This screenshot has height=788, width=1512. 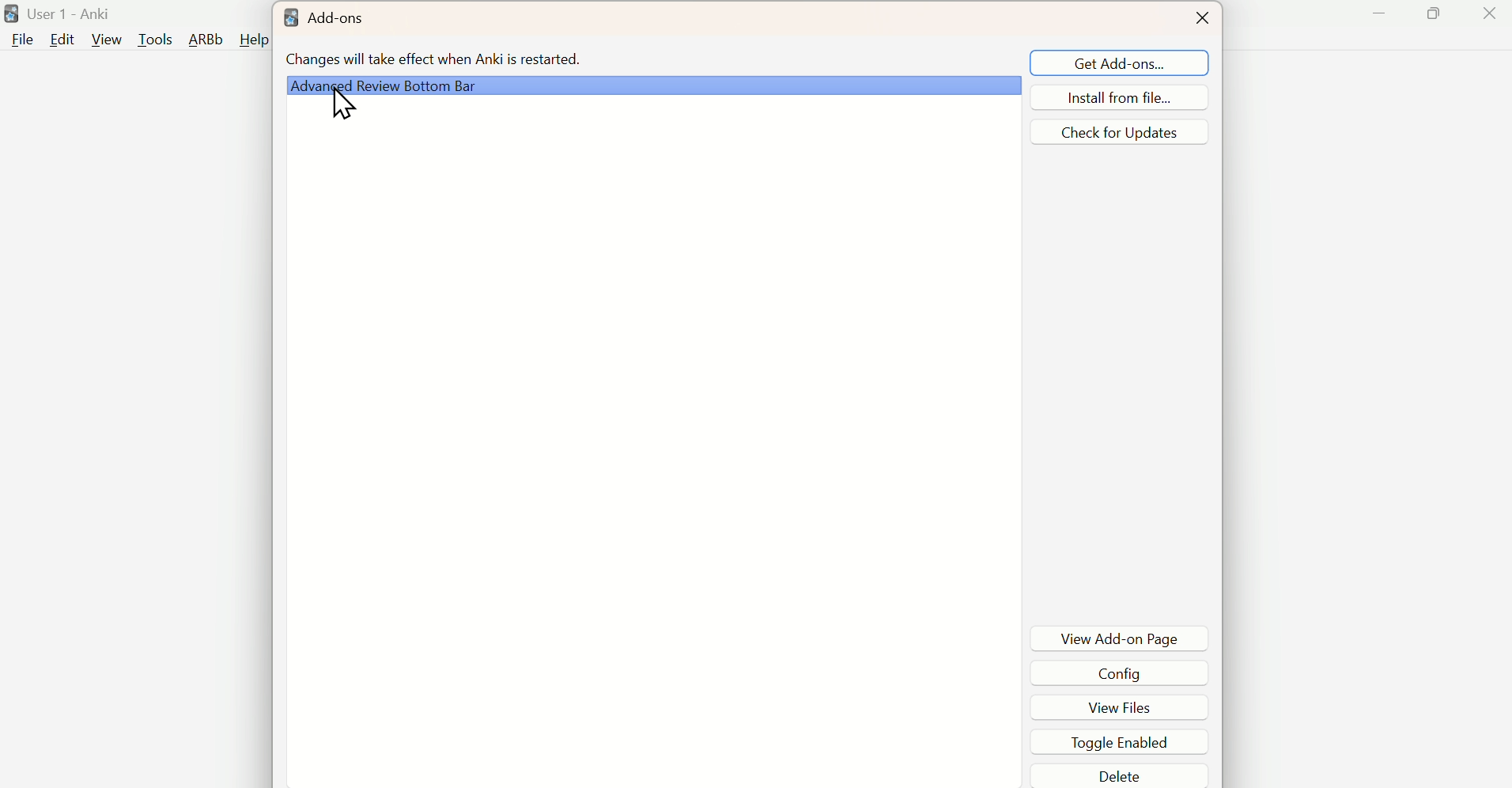 What do you see at coordinates (61, 40) in the screenshot?
I see `Edit` at bounding box center [61, 40].